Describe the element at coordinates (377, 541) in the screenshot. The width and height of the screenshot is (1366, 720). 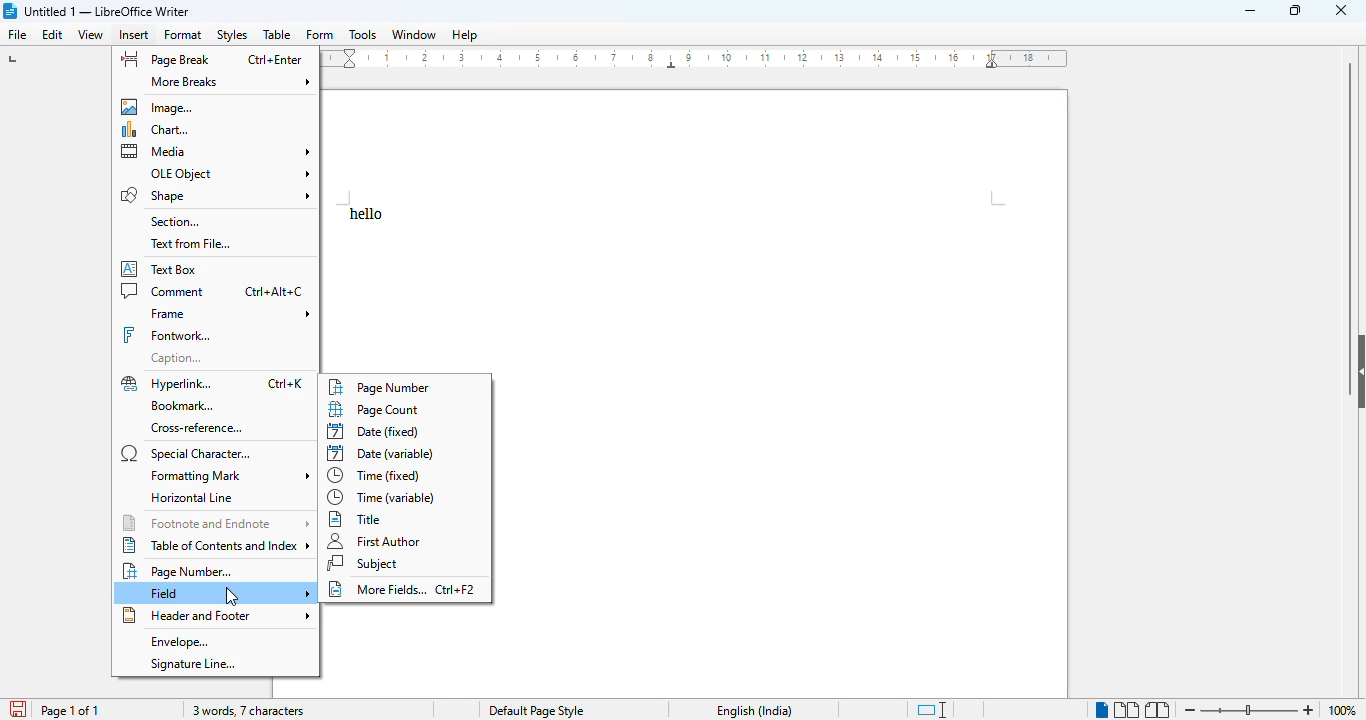
I see `first author` at that location.